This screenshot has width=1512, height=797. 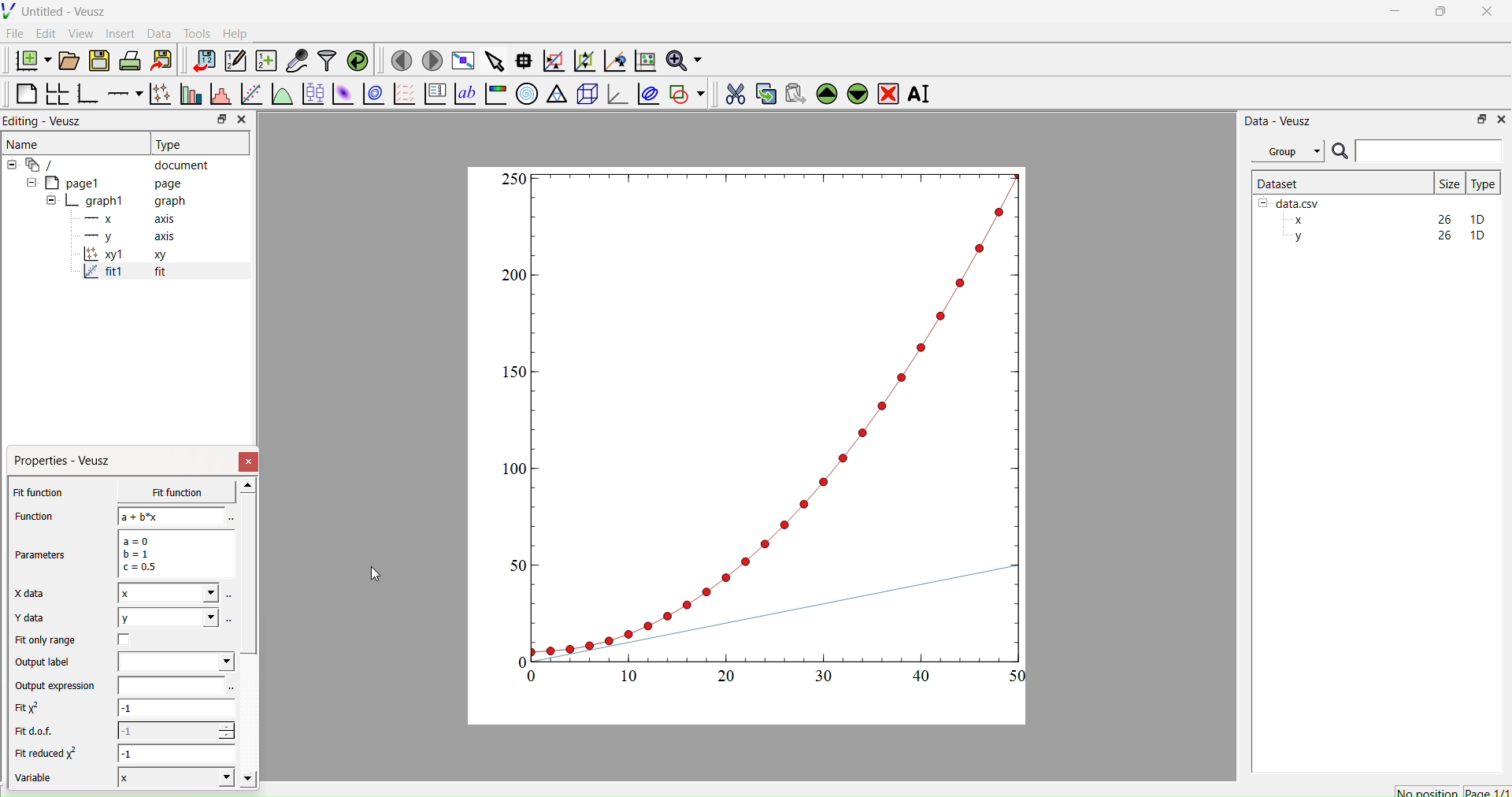 I want to click on Type, so click(x=171, y=144).